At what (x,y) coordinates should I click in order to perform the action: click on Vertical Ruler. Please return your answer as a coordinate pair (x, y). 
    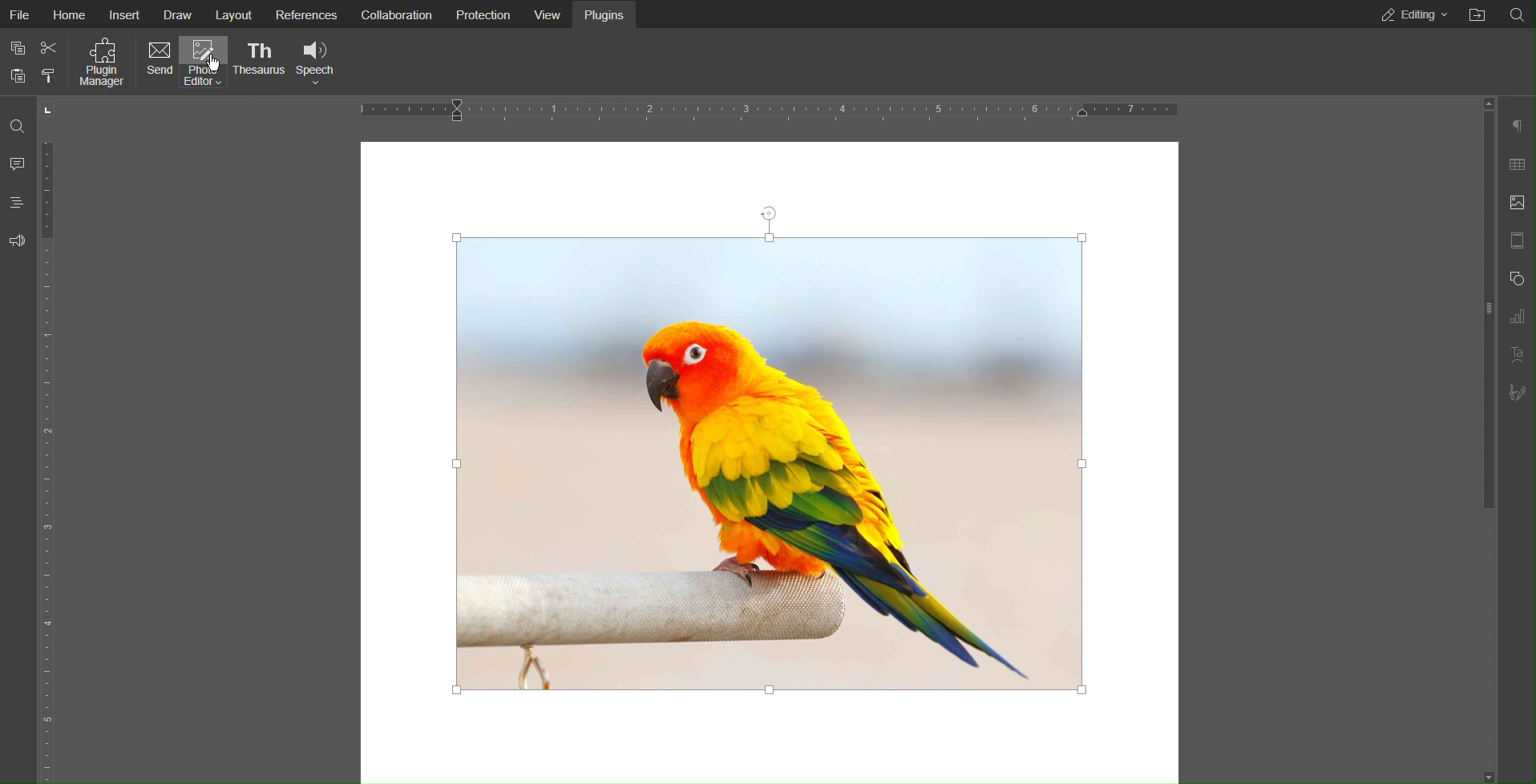
    Looking at the image, I should click on (52, 459).